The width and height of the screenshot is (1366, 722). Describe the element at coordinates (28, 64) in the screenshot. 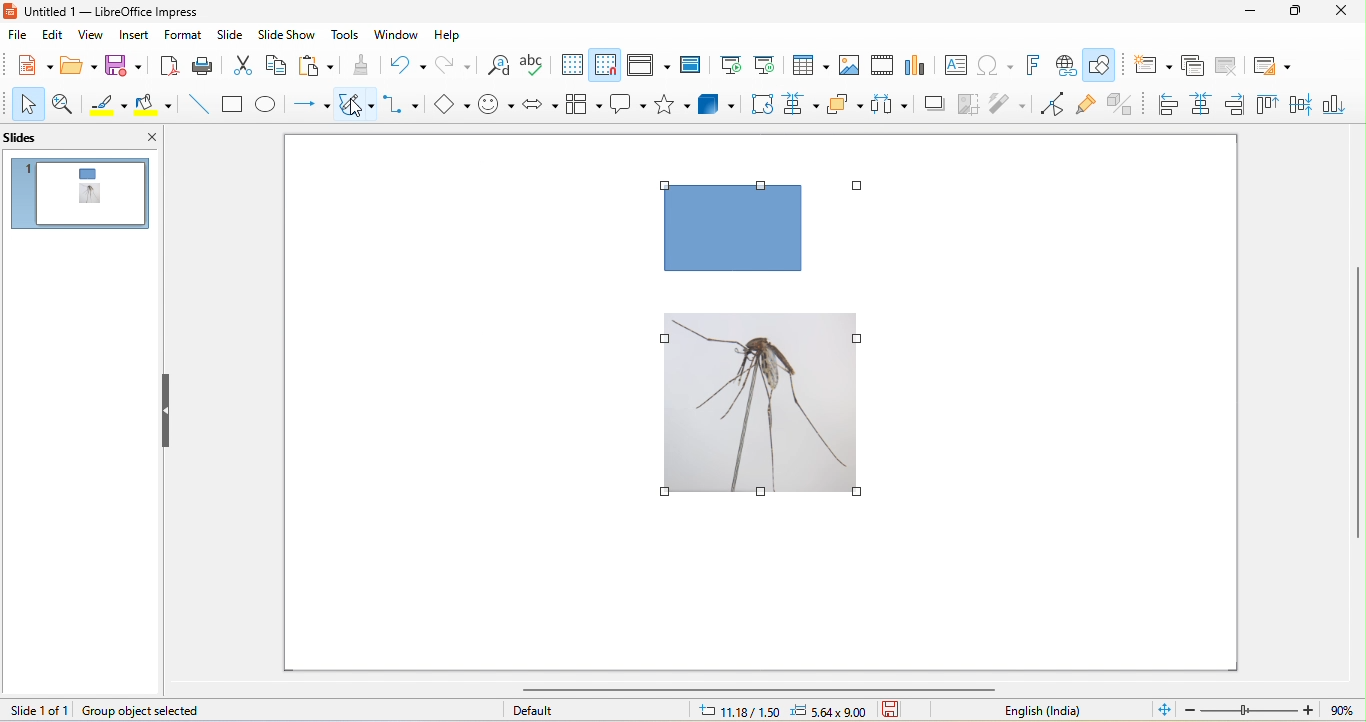

I see `new` at that location.